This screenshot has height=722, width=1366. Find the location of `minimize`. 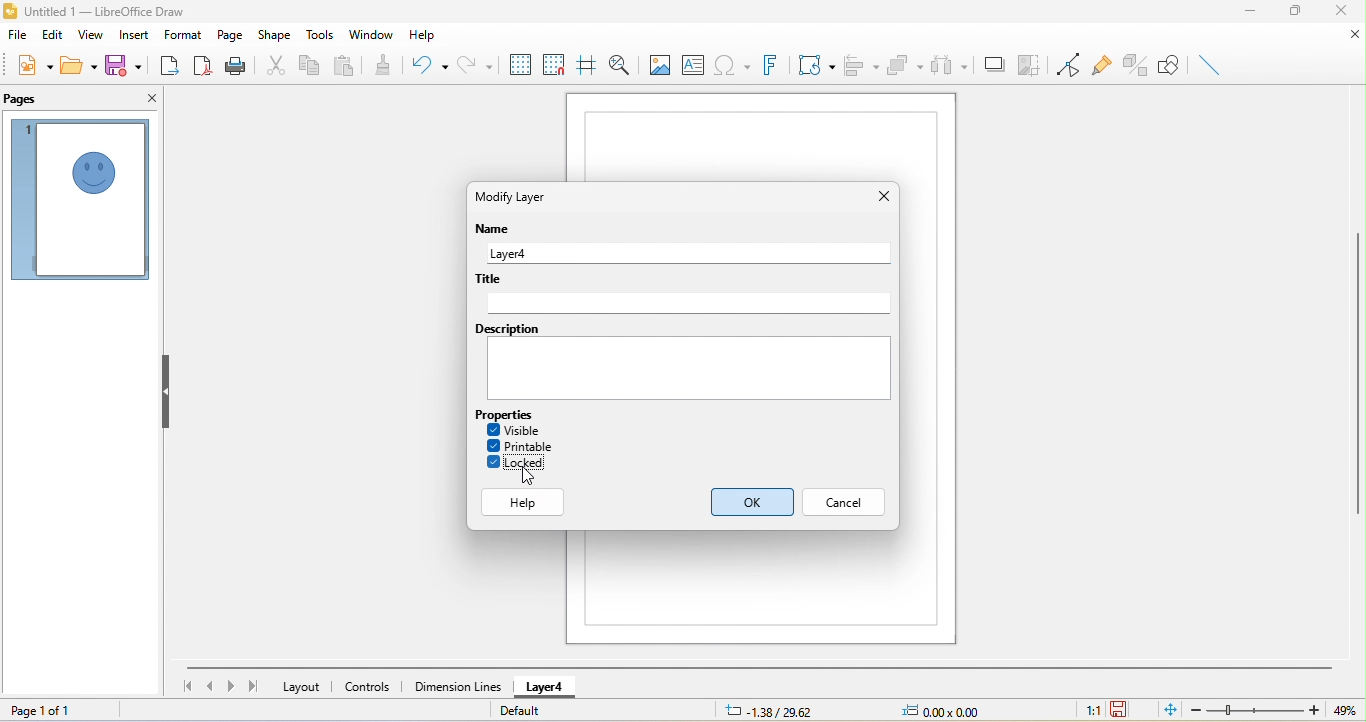

minimize is located at coordinates (1257, 13).